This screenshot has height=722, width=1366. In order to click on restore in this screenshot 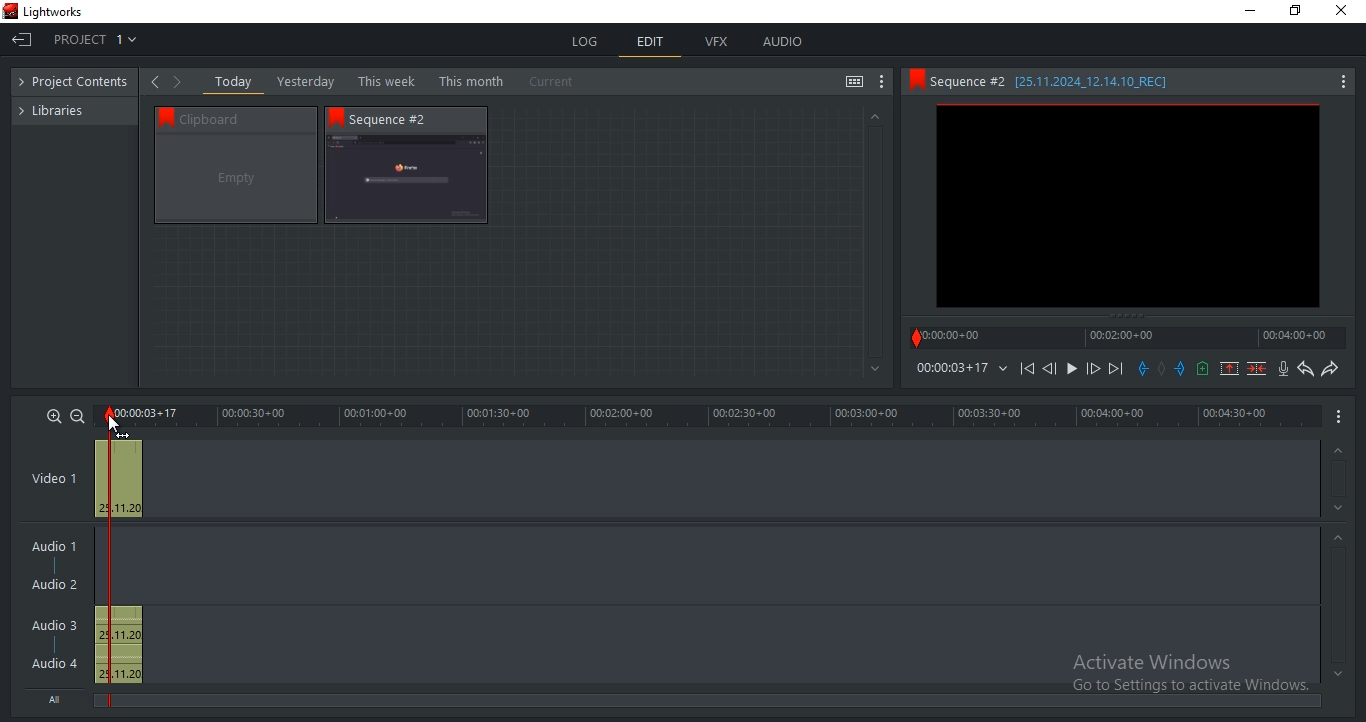, I will do `click(1295, 12)`.